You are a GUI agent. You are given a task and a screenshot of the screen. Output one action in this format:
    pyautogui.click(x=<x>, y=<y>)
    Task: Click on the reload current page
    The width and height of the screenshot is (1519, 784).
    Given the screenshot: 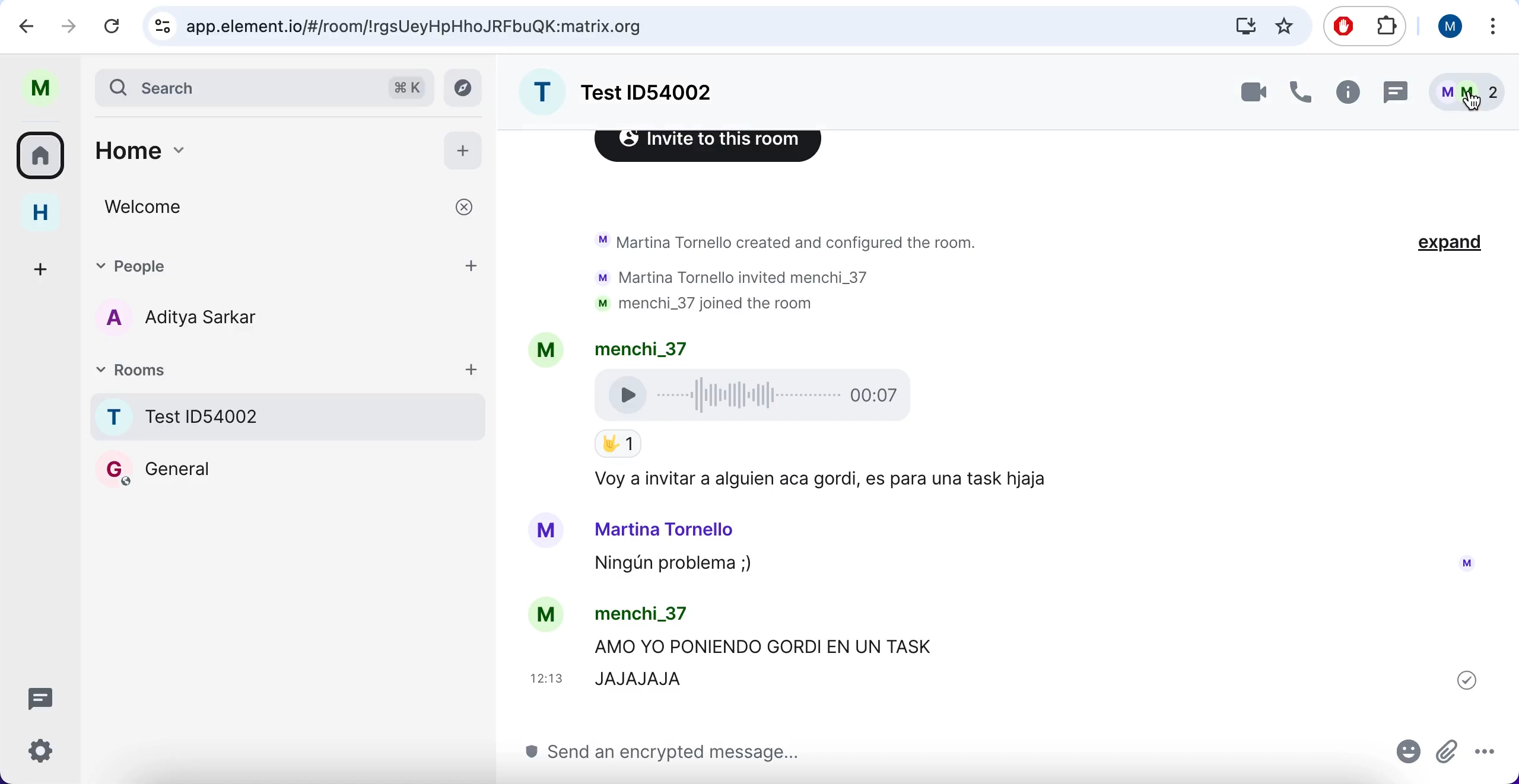 What is the action you would take?
    pyautogui.click(x=111, y=28)
    